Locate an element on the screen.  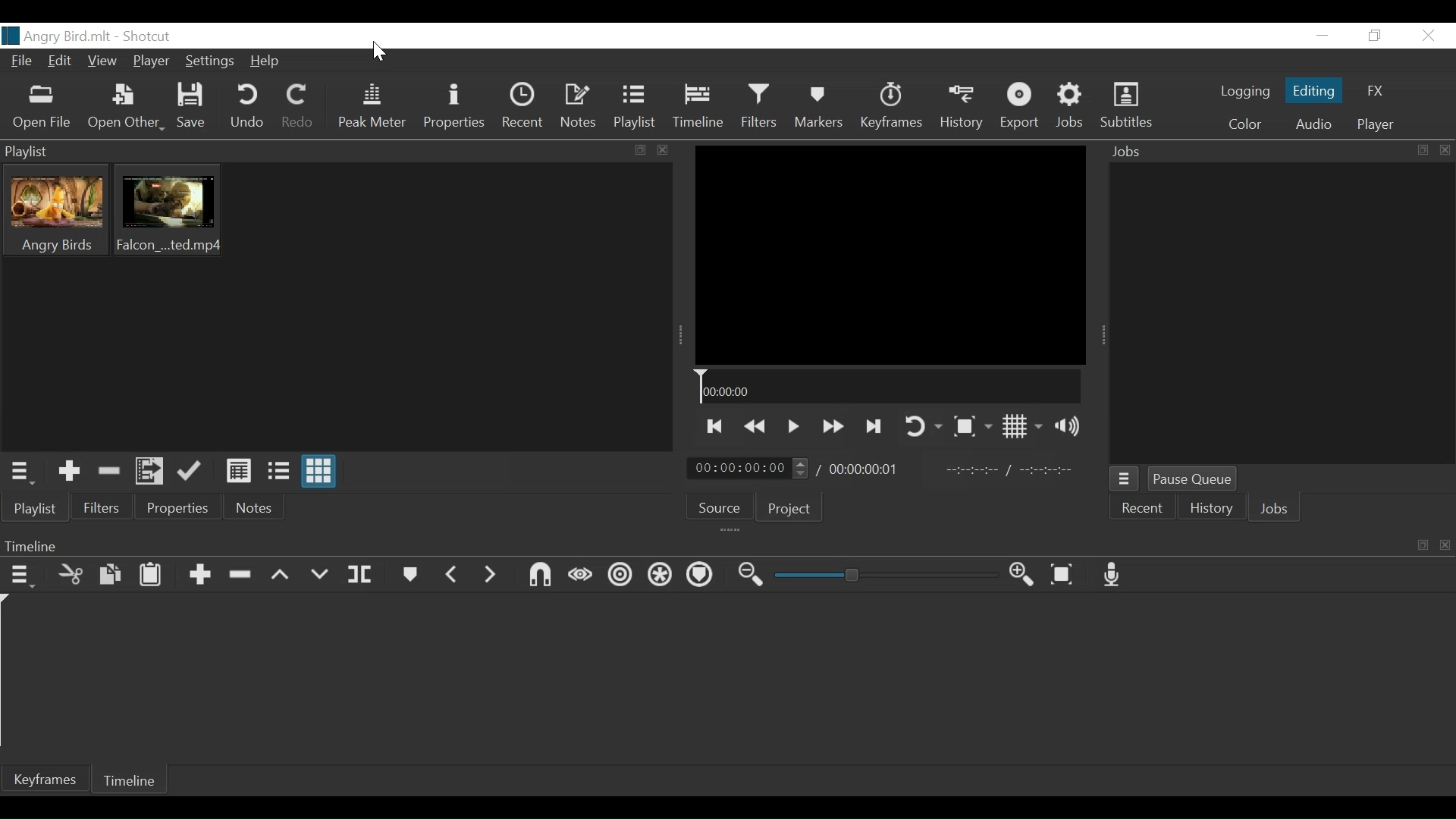
Recent is located at coordinates (522, 108).